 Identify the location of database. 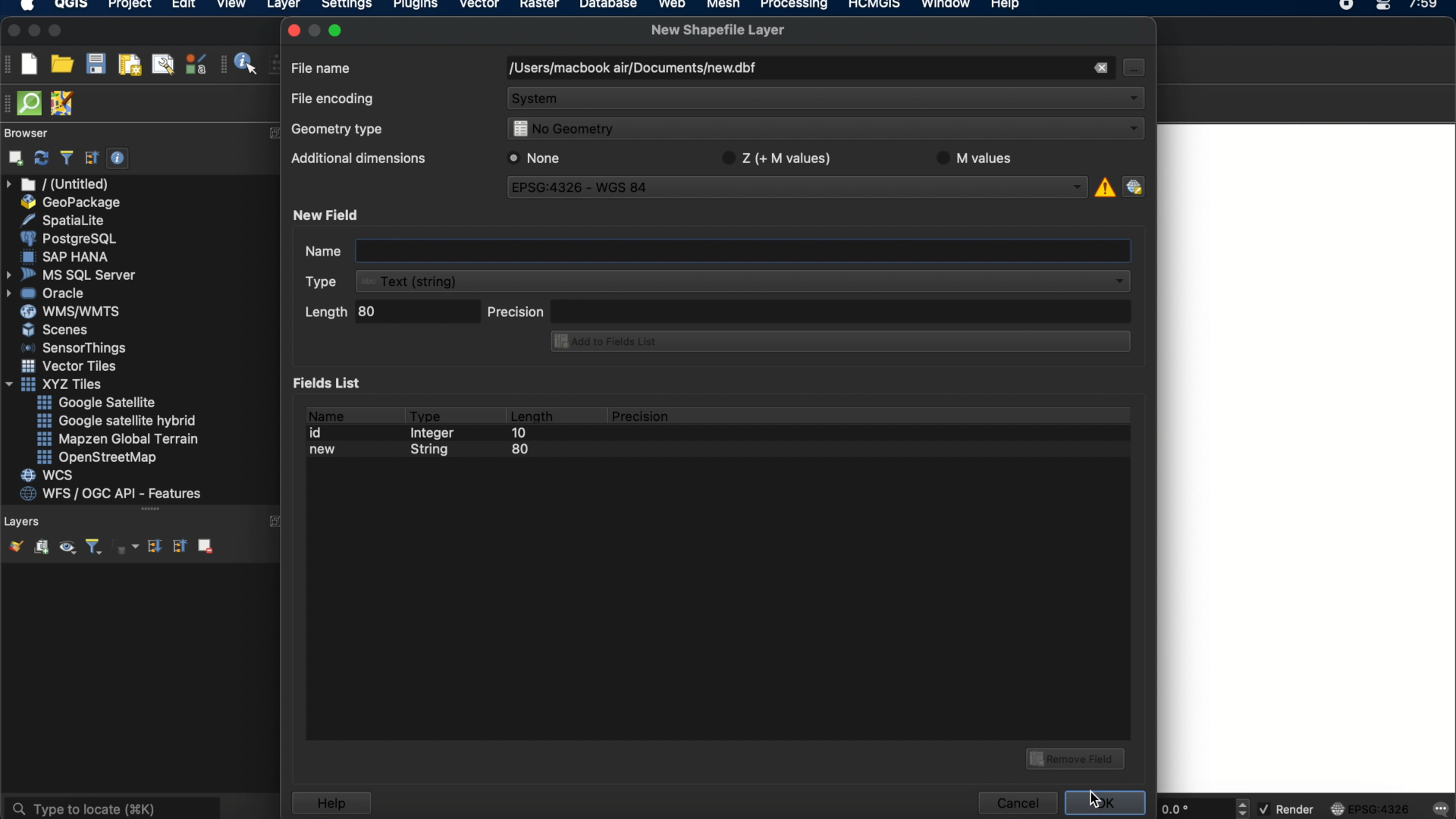
(607, 6).